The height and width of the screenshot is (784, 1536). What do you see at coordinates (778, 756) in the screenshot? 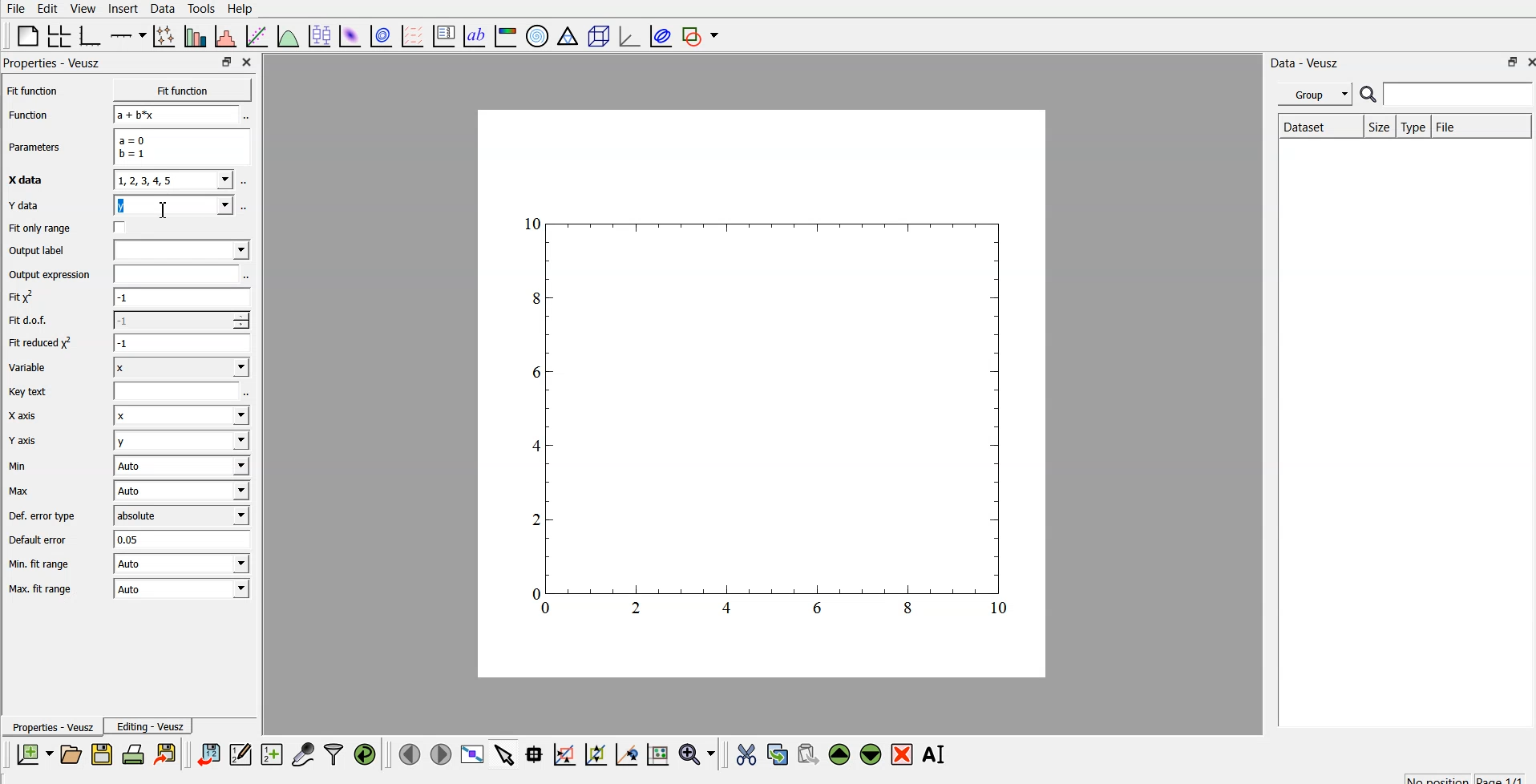
I see `copy the selected widget` at bounding box center [778, 756].